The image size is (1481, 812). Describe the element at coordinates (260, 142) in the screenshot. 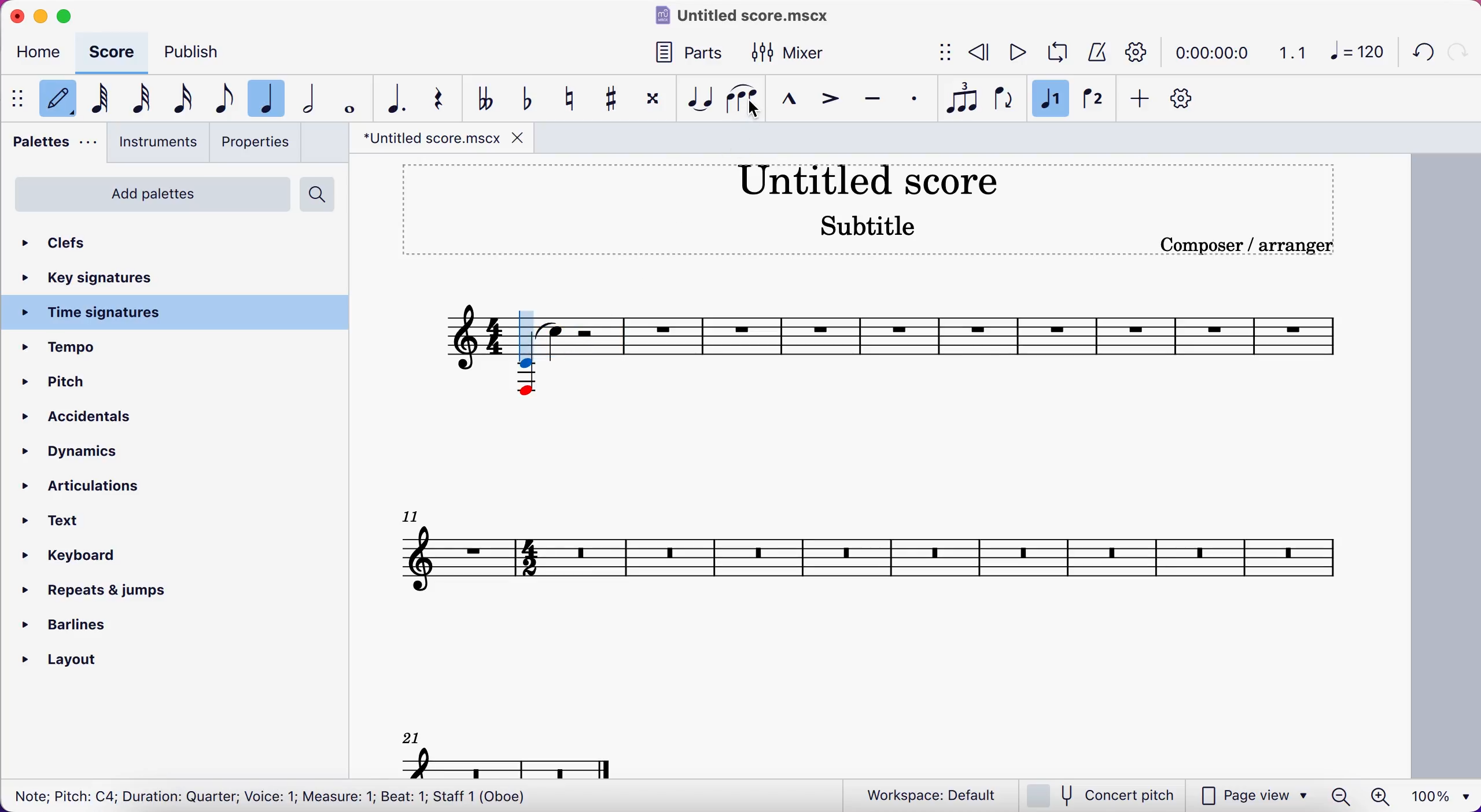

I see `properties` at that location.